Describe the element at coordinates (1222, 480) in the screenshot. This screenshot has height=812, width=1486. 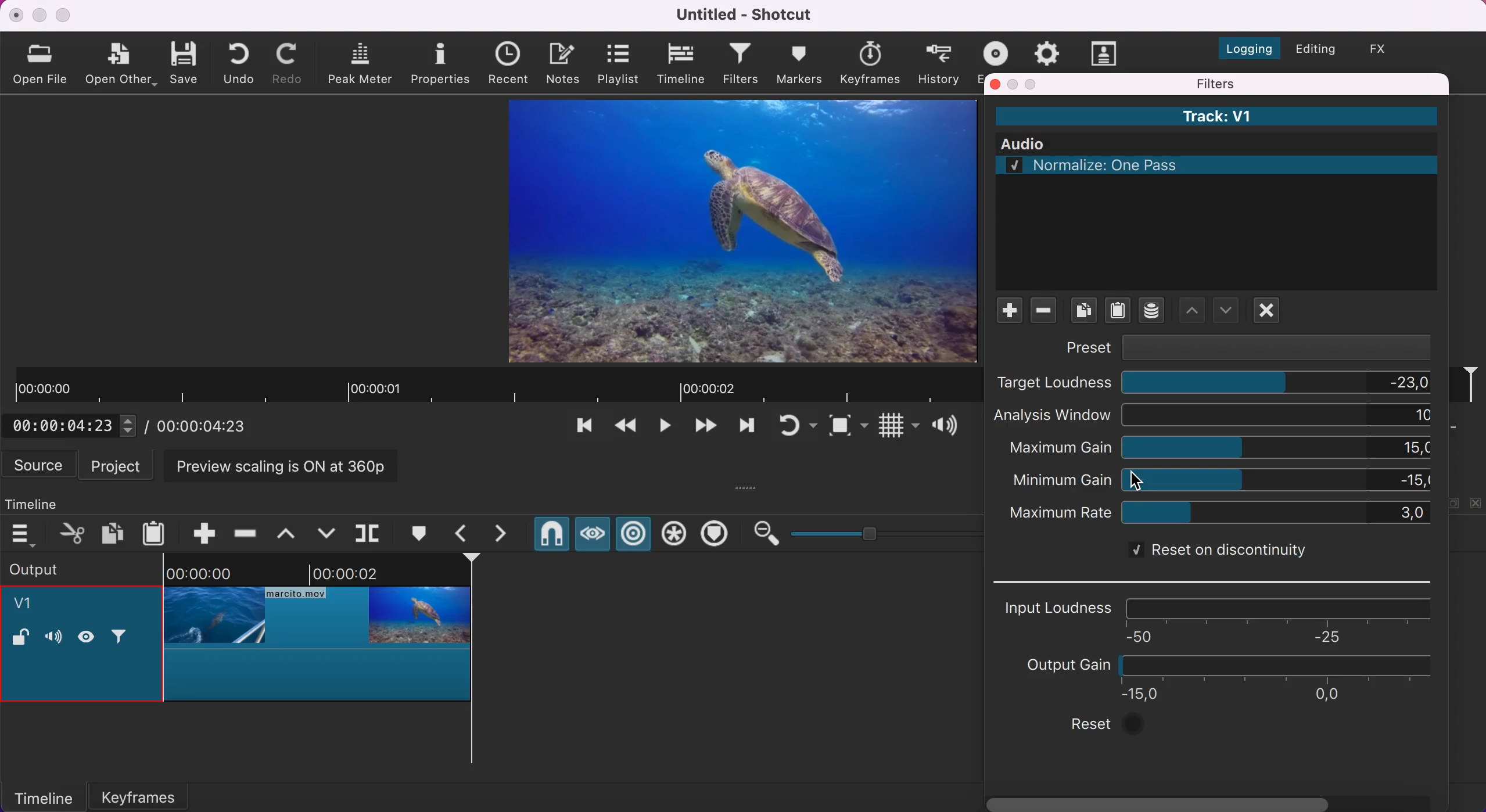
I see `minimum gain` at that location.